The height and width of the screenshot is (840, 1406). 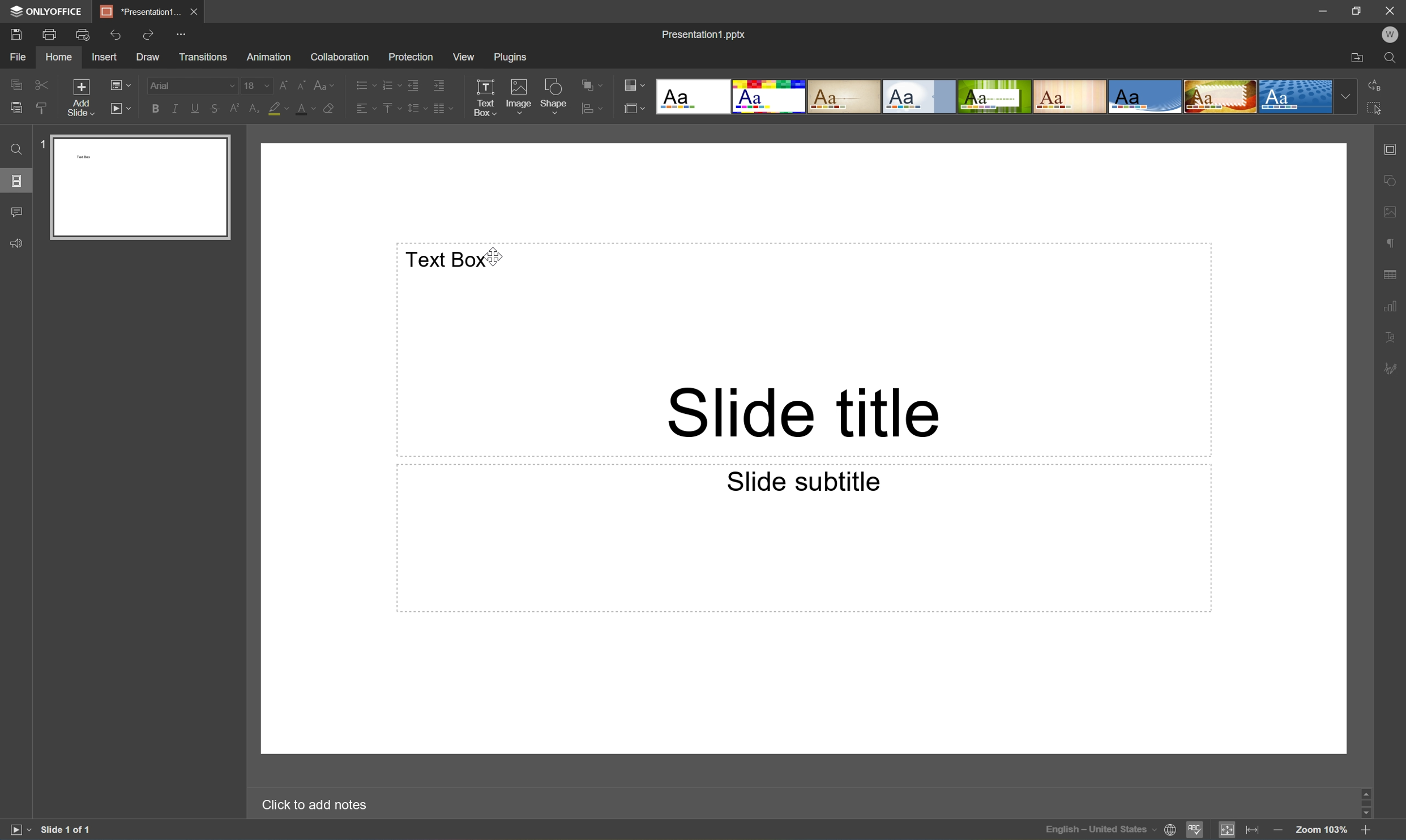 What do you see at coordinates (81, 36) in the screenshot?
I see `Quick print` at bounding box center [81, 36].